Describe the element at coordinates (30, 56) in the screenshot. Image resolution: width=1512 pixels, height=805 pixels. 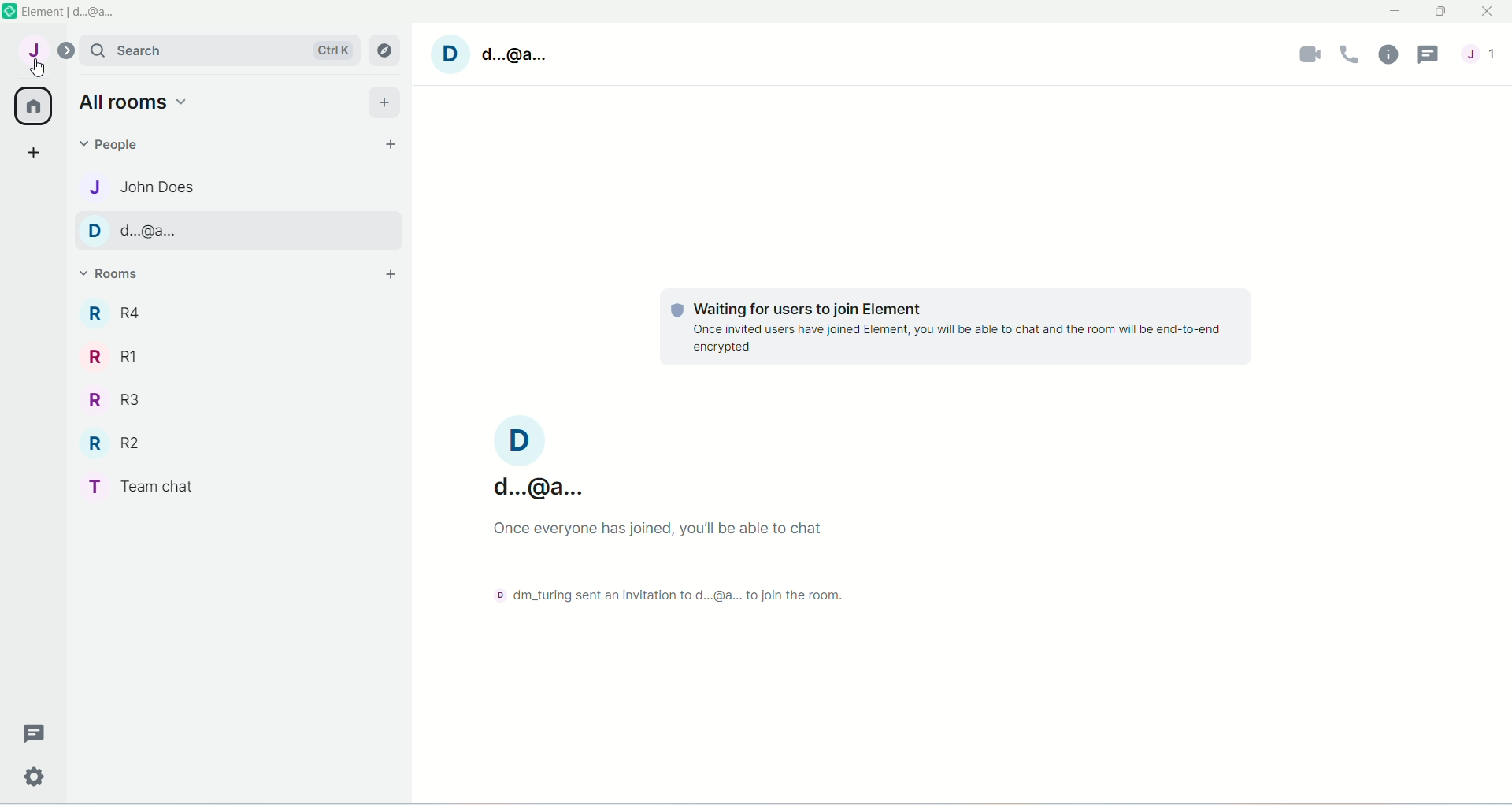
I see `User menu` at that location.